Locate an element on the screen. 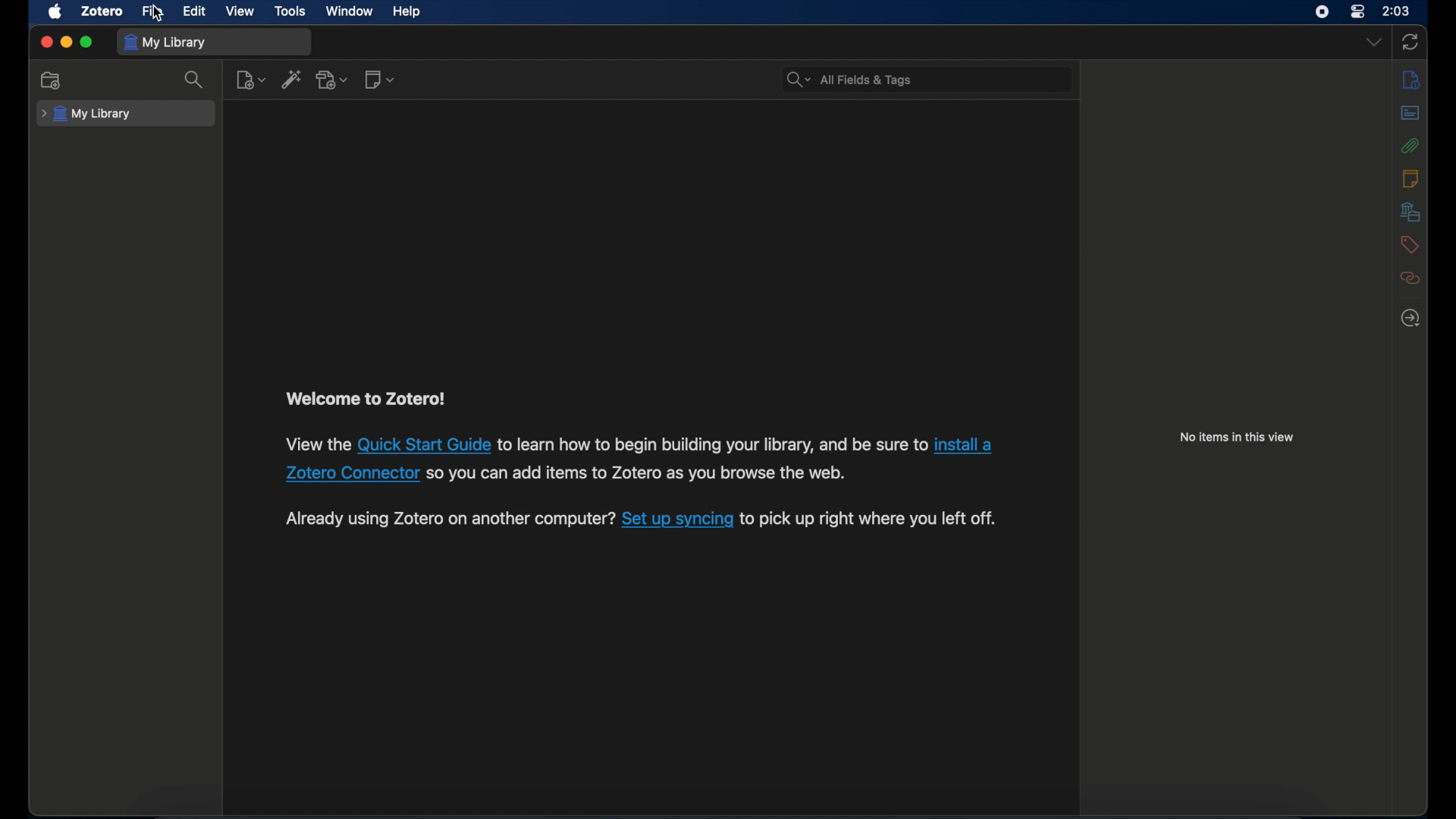  text is located at coordinates (367, 402).